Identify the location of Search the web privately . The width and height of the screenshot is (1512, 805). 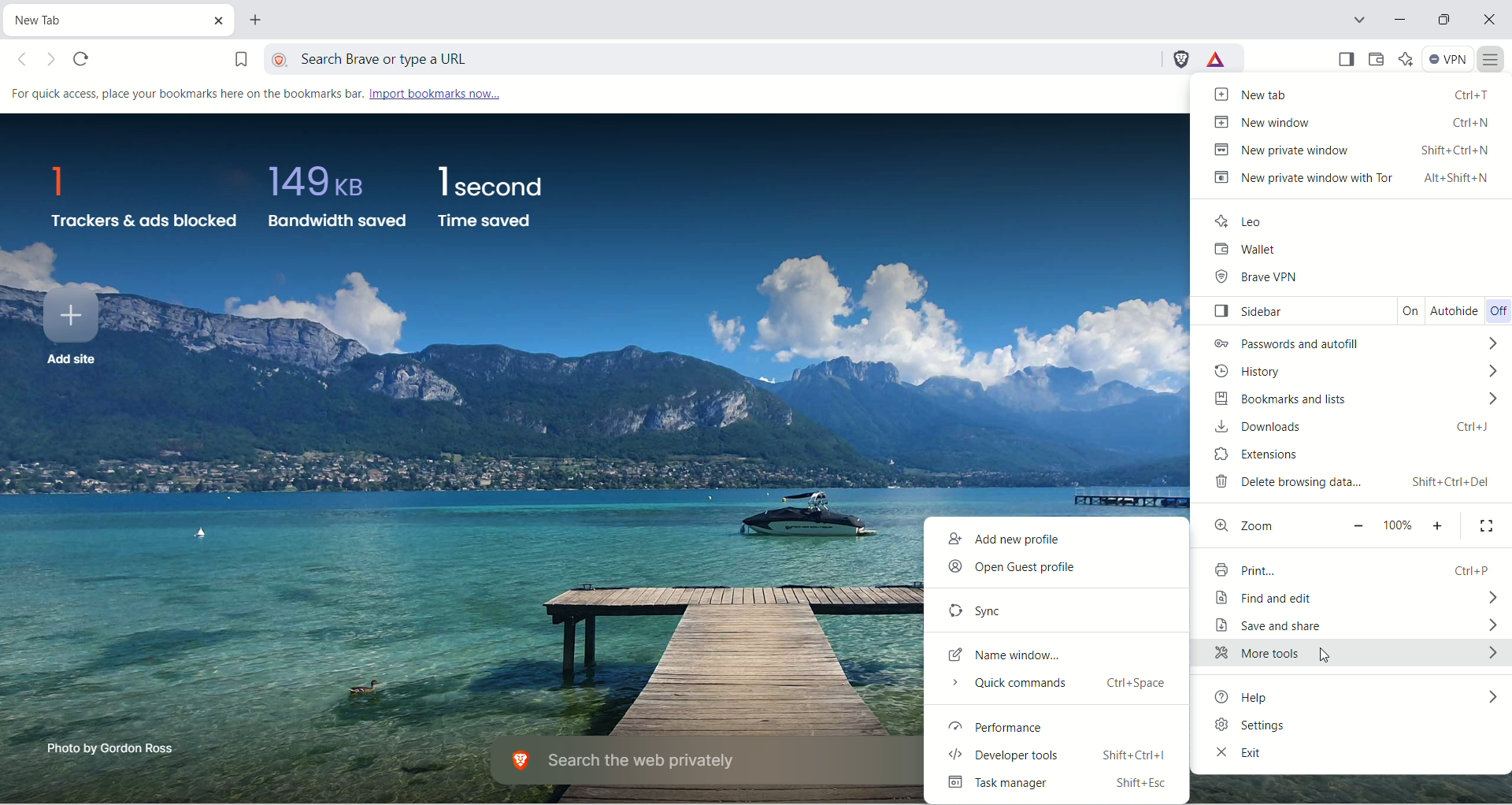
(692, 762).